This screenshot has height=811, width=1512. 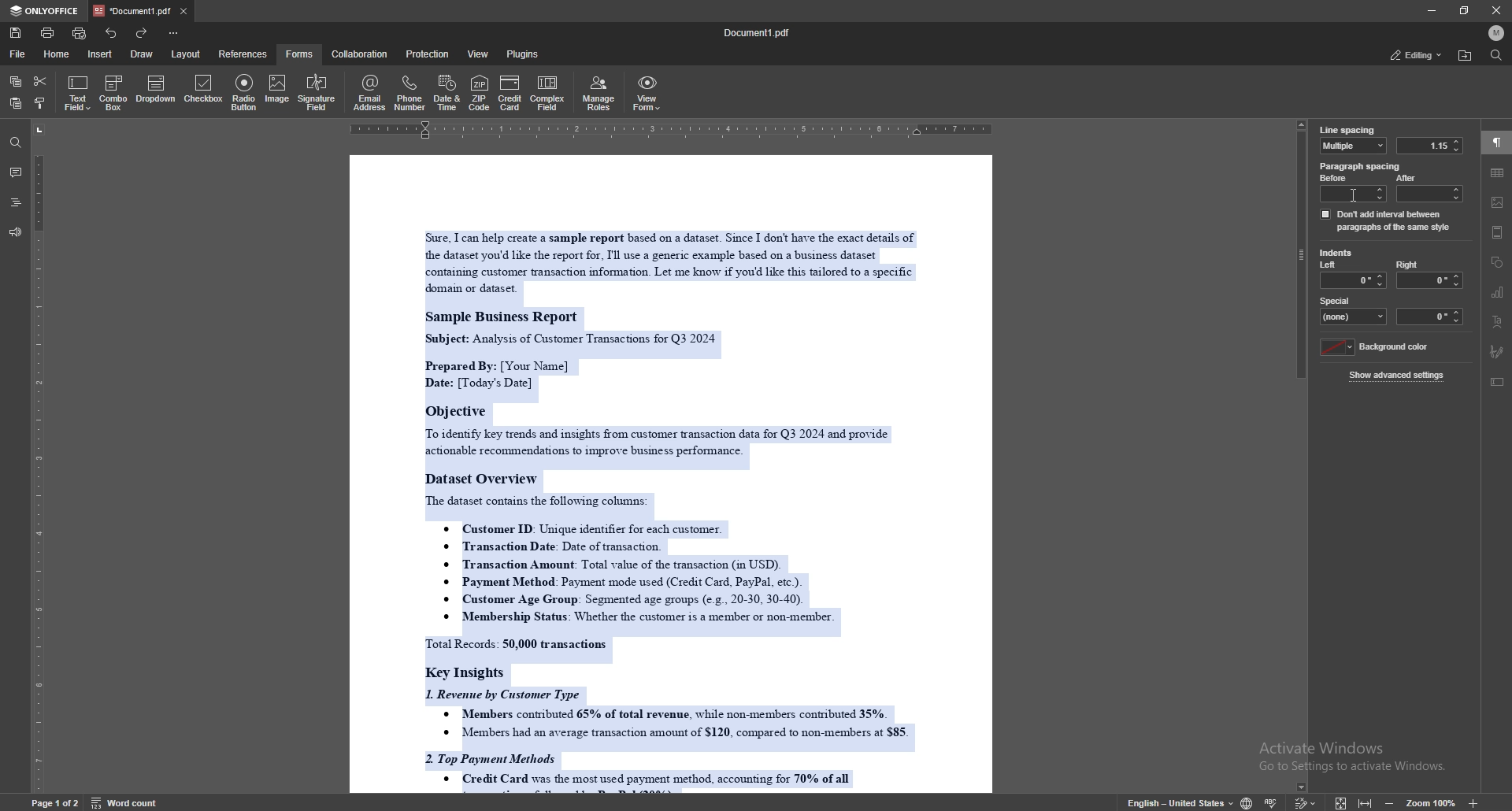 What do you see at coordinates (1392, 801) in the screenshot?
I see `zoom out` at bounding box center [1392, 801].